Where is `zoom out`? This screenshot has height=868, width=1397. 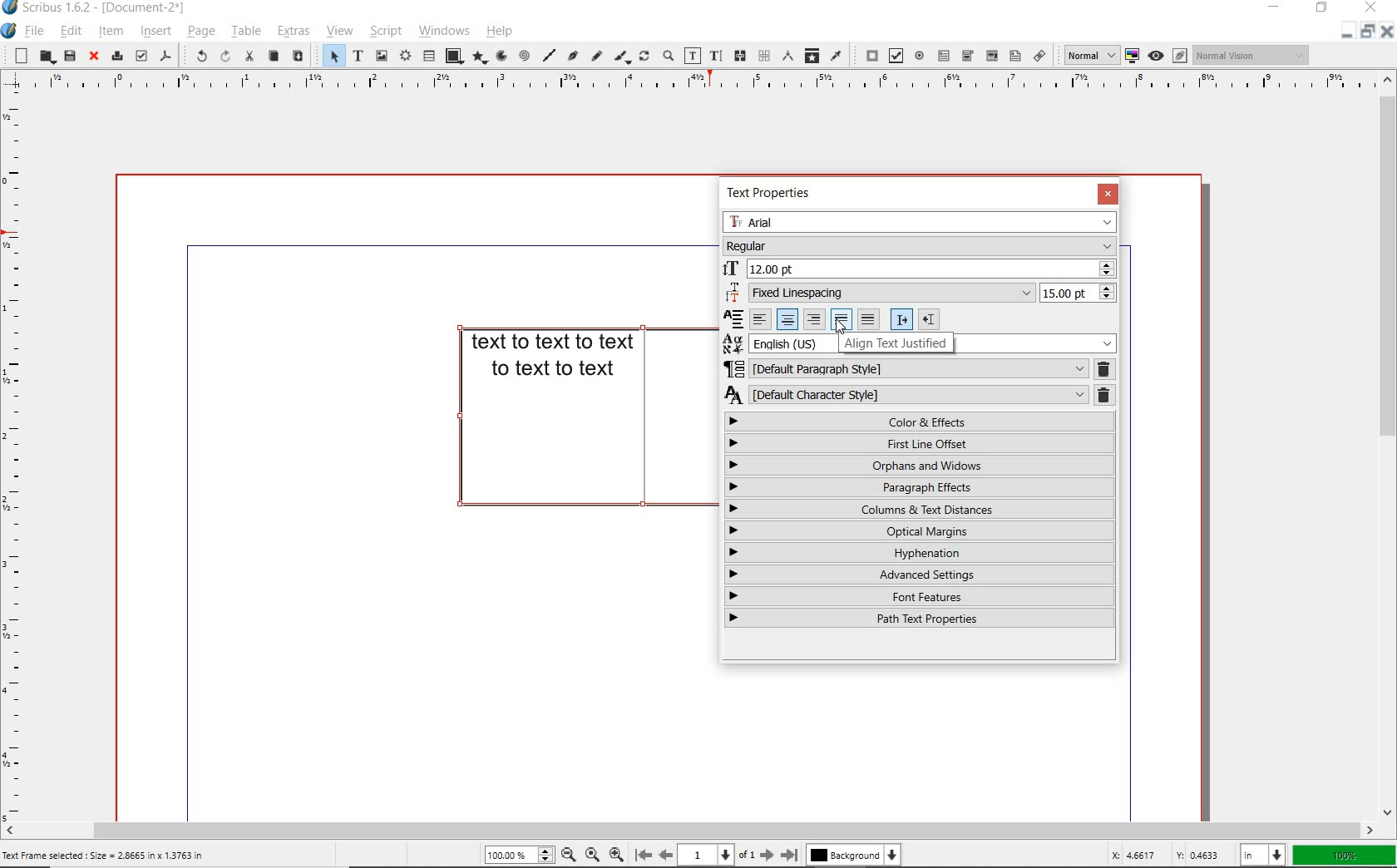 zoom out is located at coordinates (617, 854).